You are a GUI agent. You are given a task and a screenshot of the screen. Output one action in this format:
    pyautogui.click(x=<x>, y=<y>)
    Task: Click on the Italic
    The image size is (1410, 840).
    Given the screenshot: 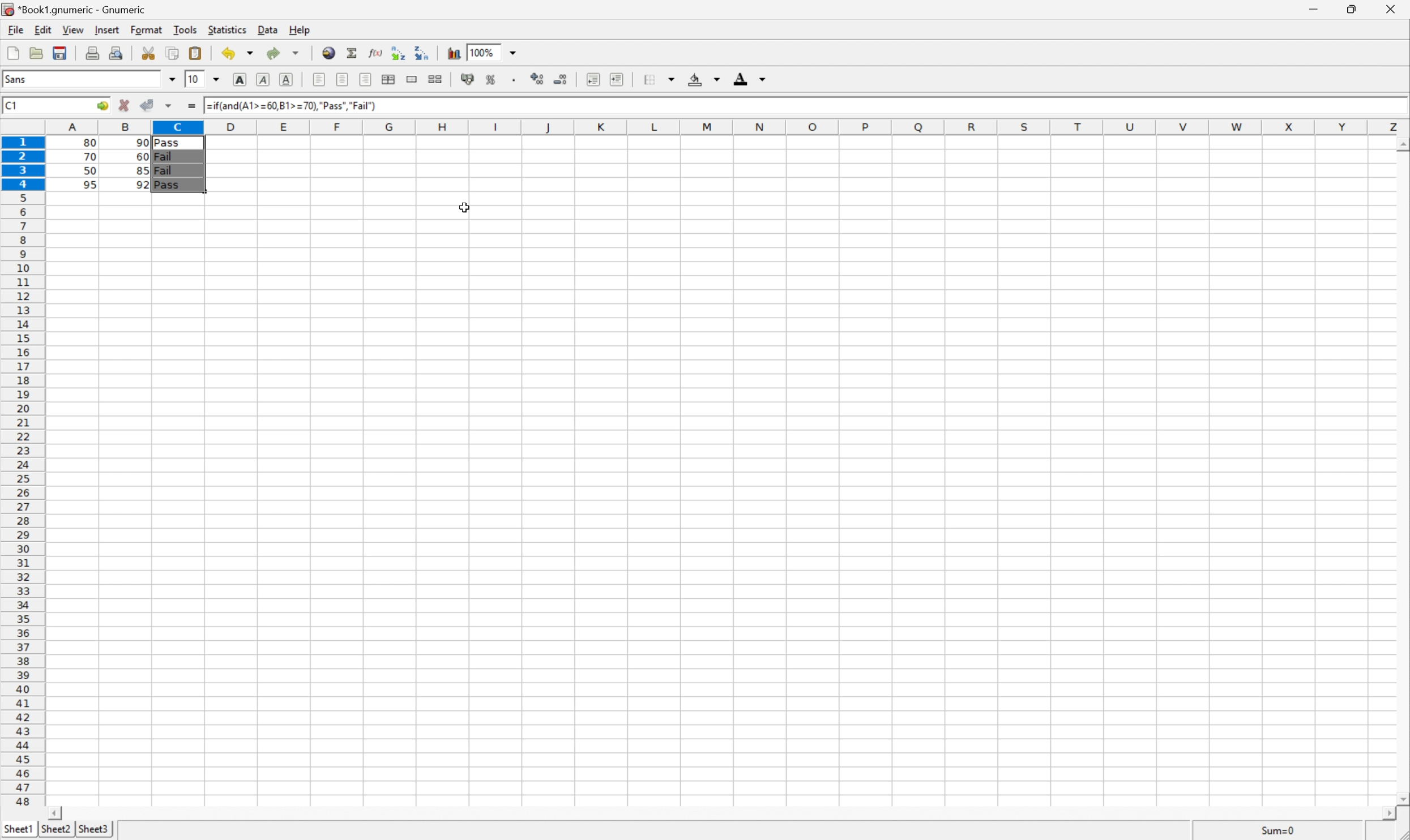 What is the action you would take?
    pyautogui.click(x=264, y=79)
    